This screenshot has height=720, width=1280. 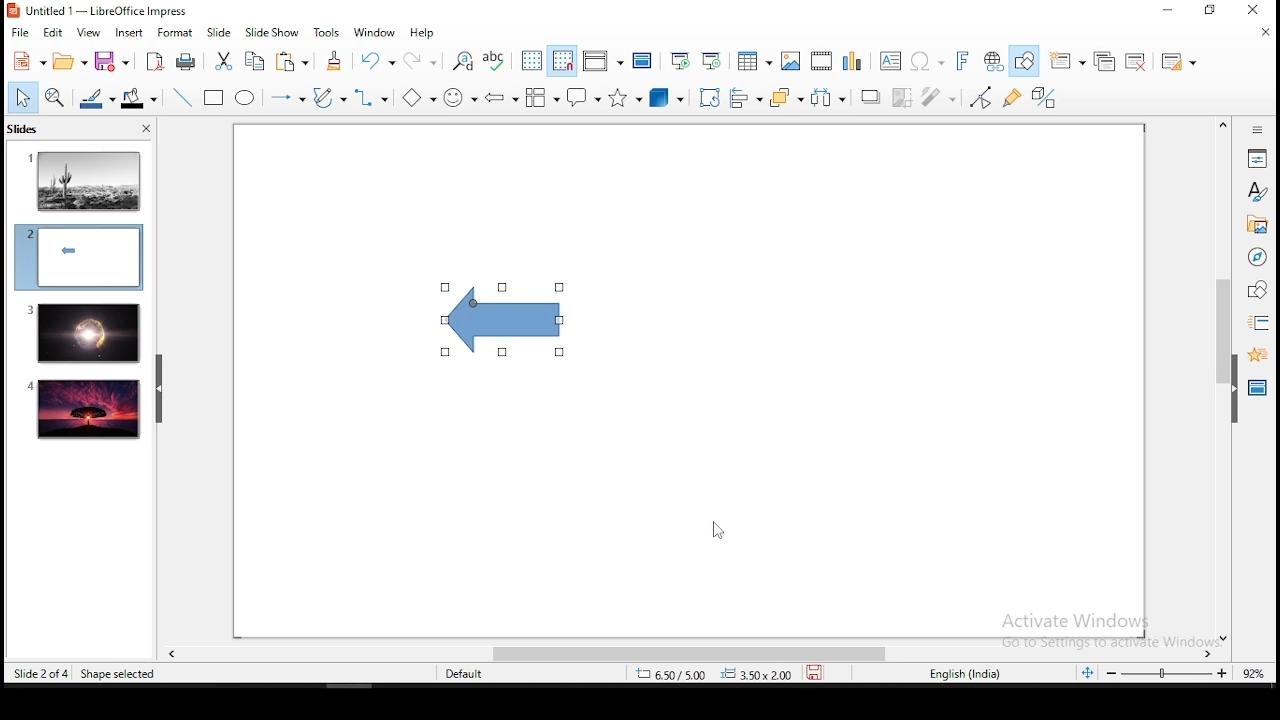 What do you see at coordinates (1139, 62) in the screenshot?
I see `delete slide` at bounding box center [1139, 62].